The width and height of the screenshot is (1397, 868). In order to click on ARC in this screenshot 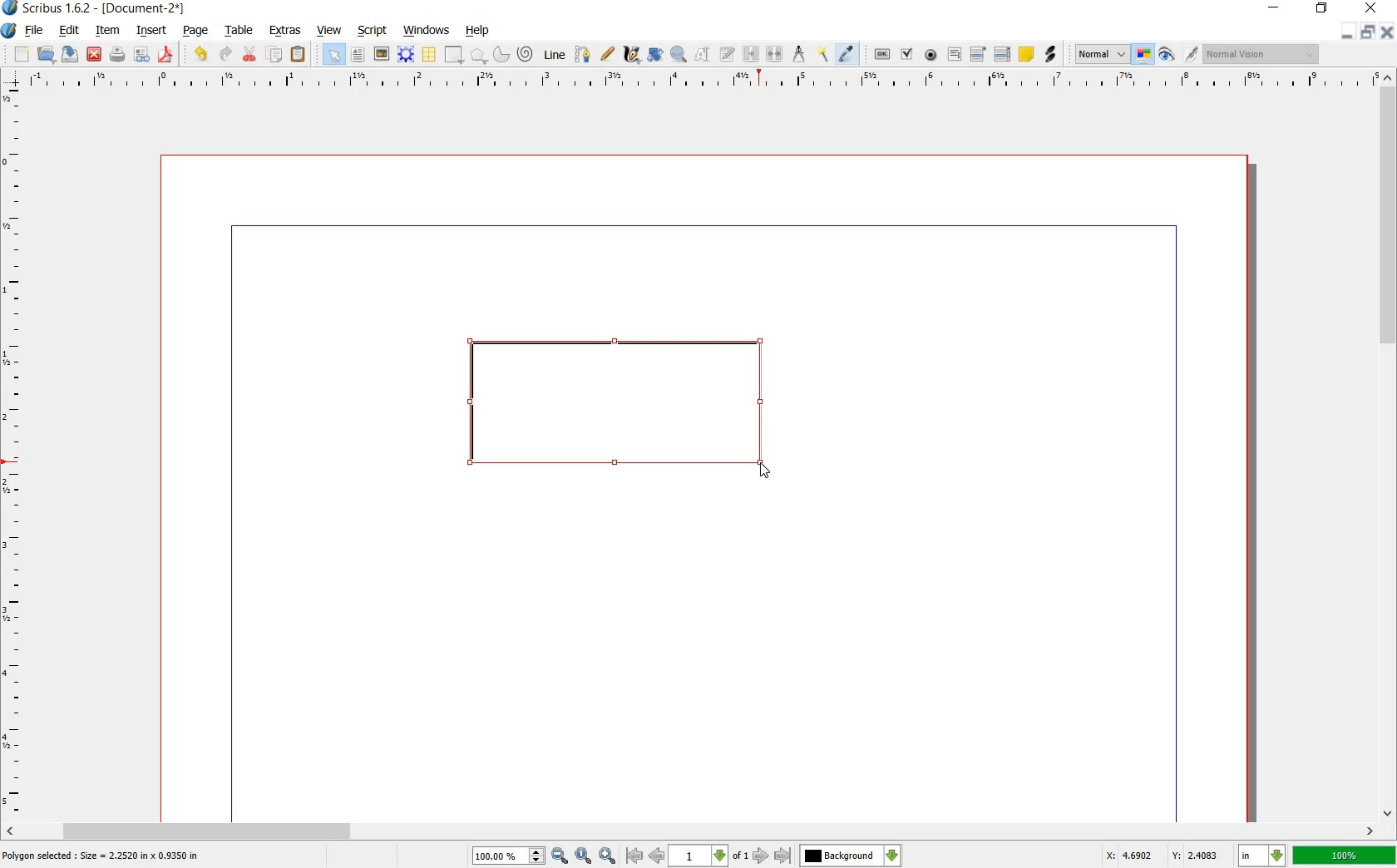, I will do `click(501, 53)`.